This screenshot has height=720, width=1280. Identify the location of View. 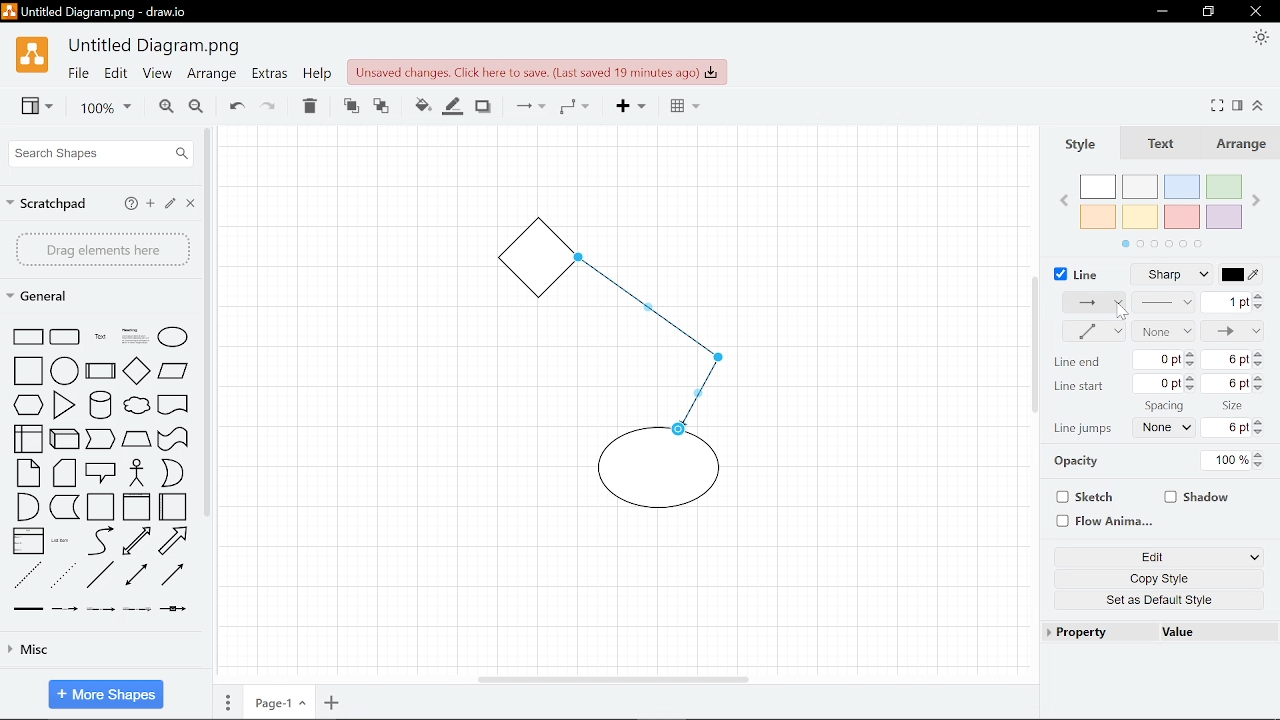
(156, 76).